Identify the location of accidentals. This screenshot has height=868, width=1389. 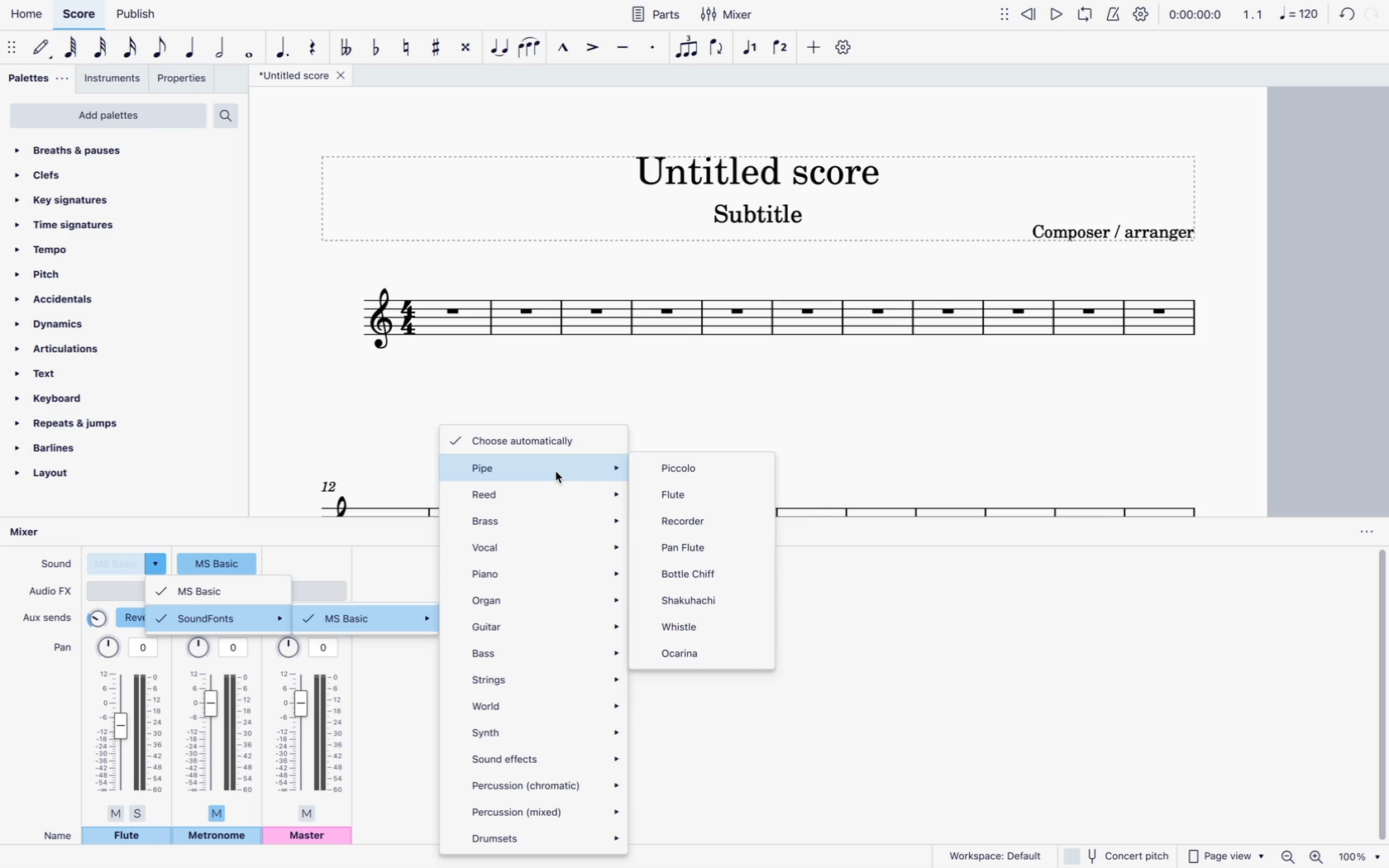
(63, 299).